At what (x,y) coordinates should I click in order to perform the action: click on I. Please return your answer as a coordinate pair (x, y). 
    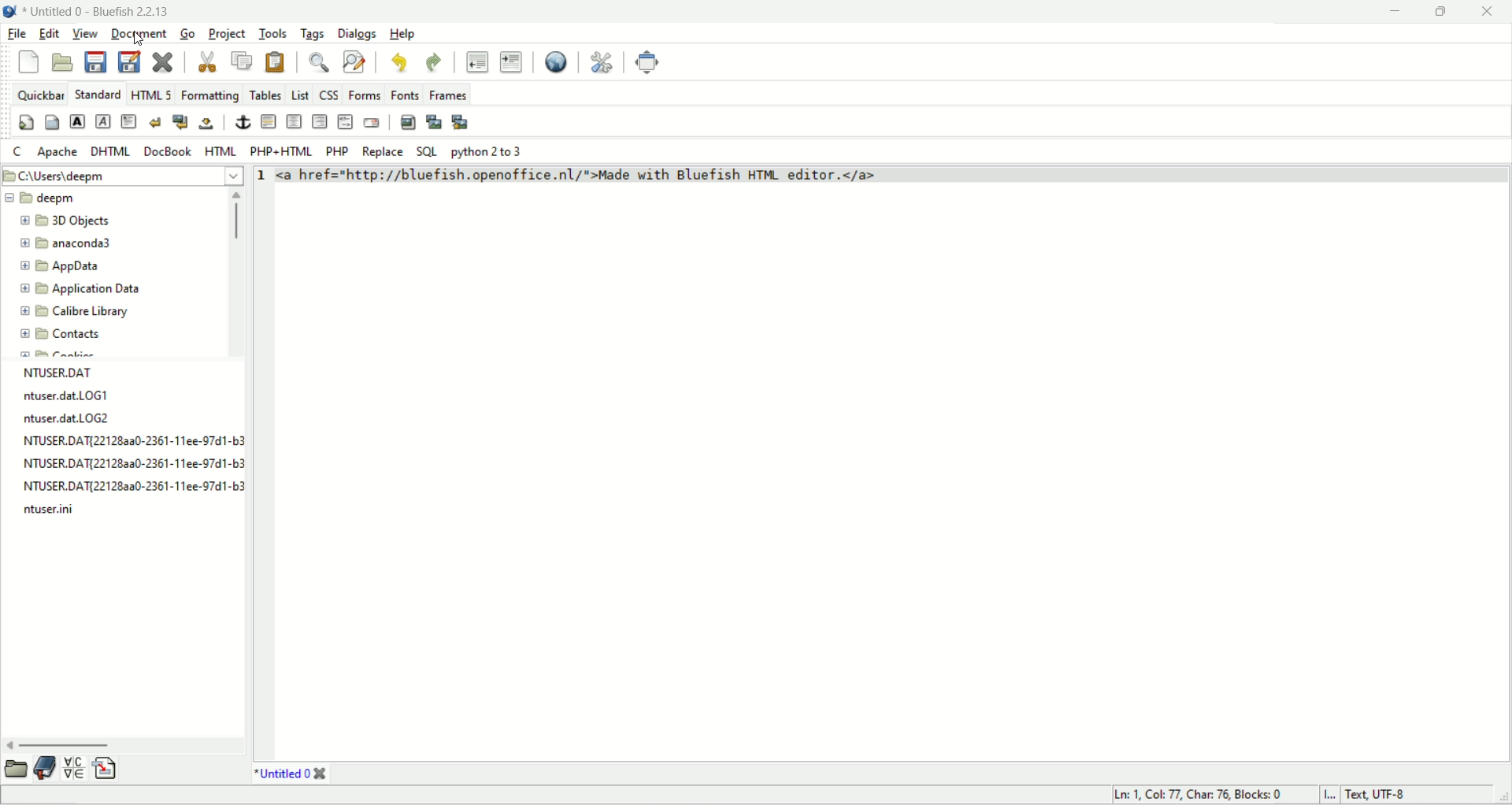
    Looking at the image, I should click on (1327, 795).